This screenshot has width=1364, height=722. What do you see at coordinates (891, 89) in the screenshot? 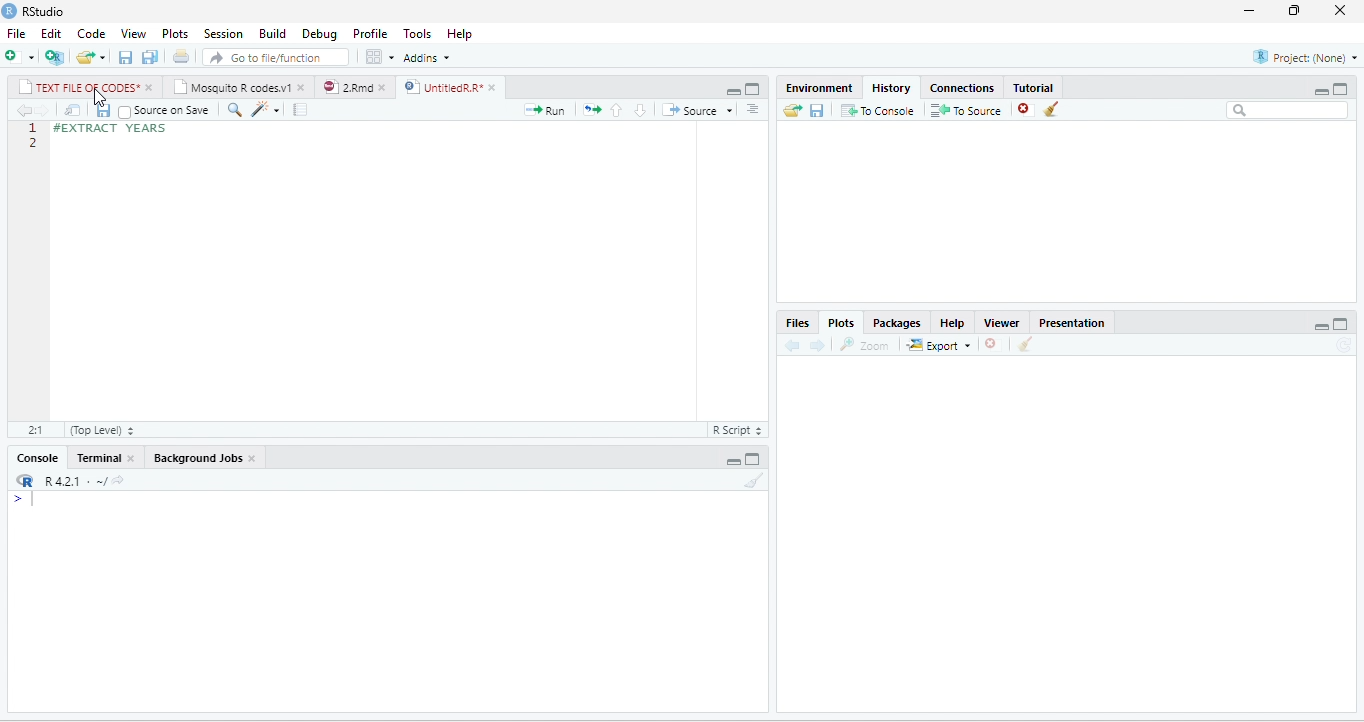
I see `History` at bounding box center [891, 89].